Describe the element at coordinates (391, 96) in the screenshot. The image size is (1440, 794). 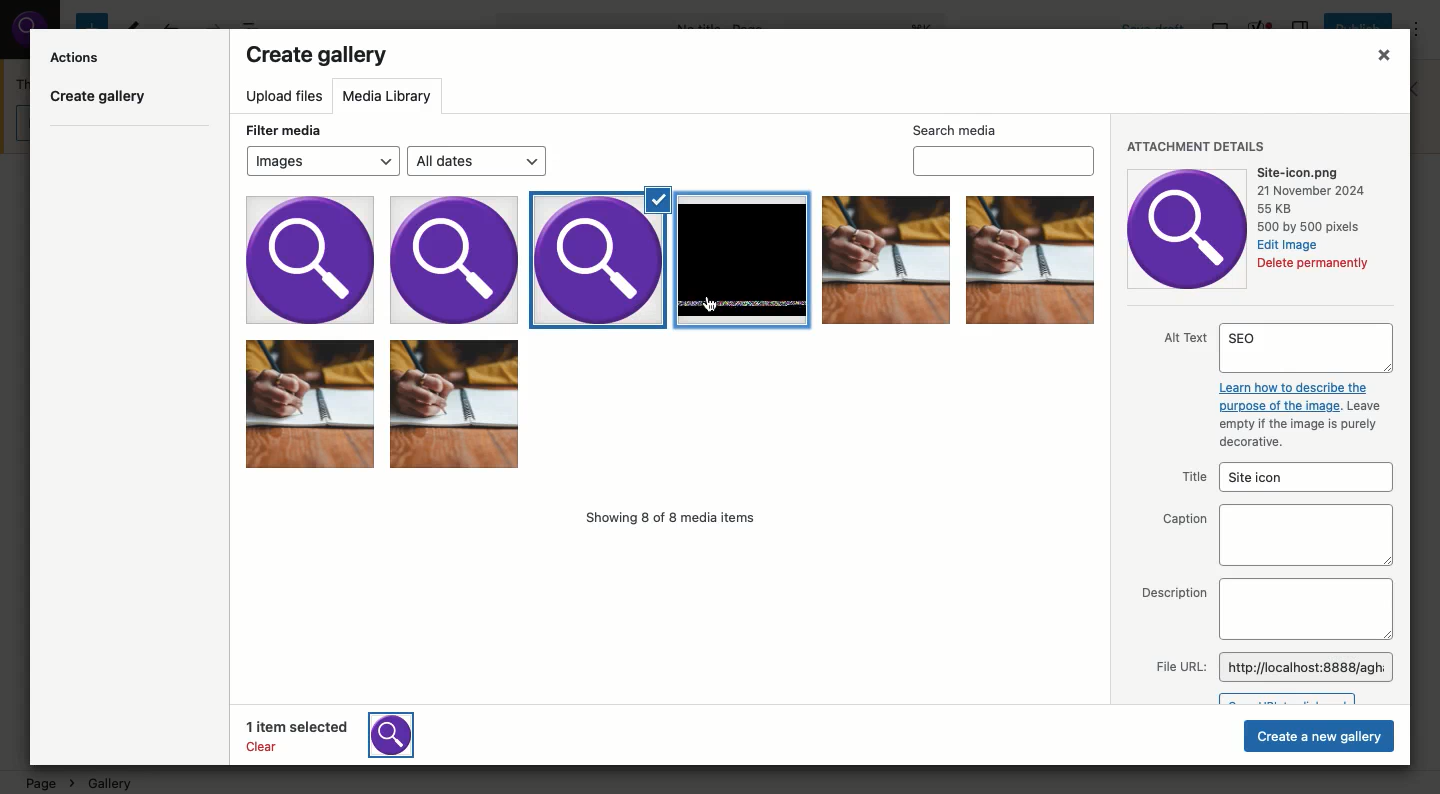
I see `Media library` at that location.